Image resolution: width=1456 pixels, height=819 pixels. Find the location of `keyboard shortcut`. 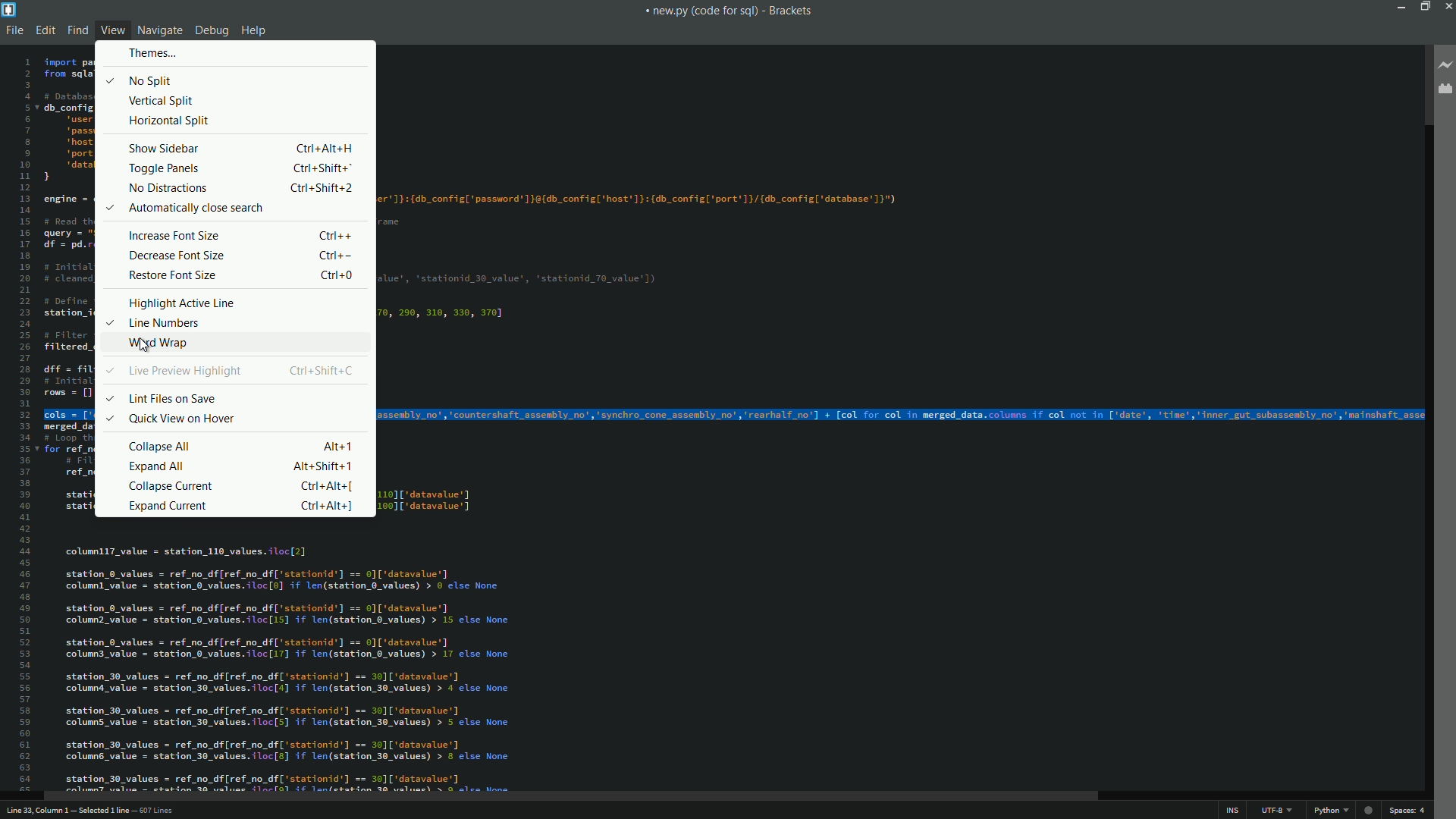

keyboard shortcut is located at coordinates (325, 168).